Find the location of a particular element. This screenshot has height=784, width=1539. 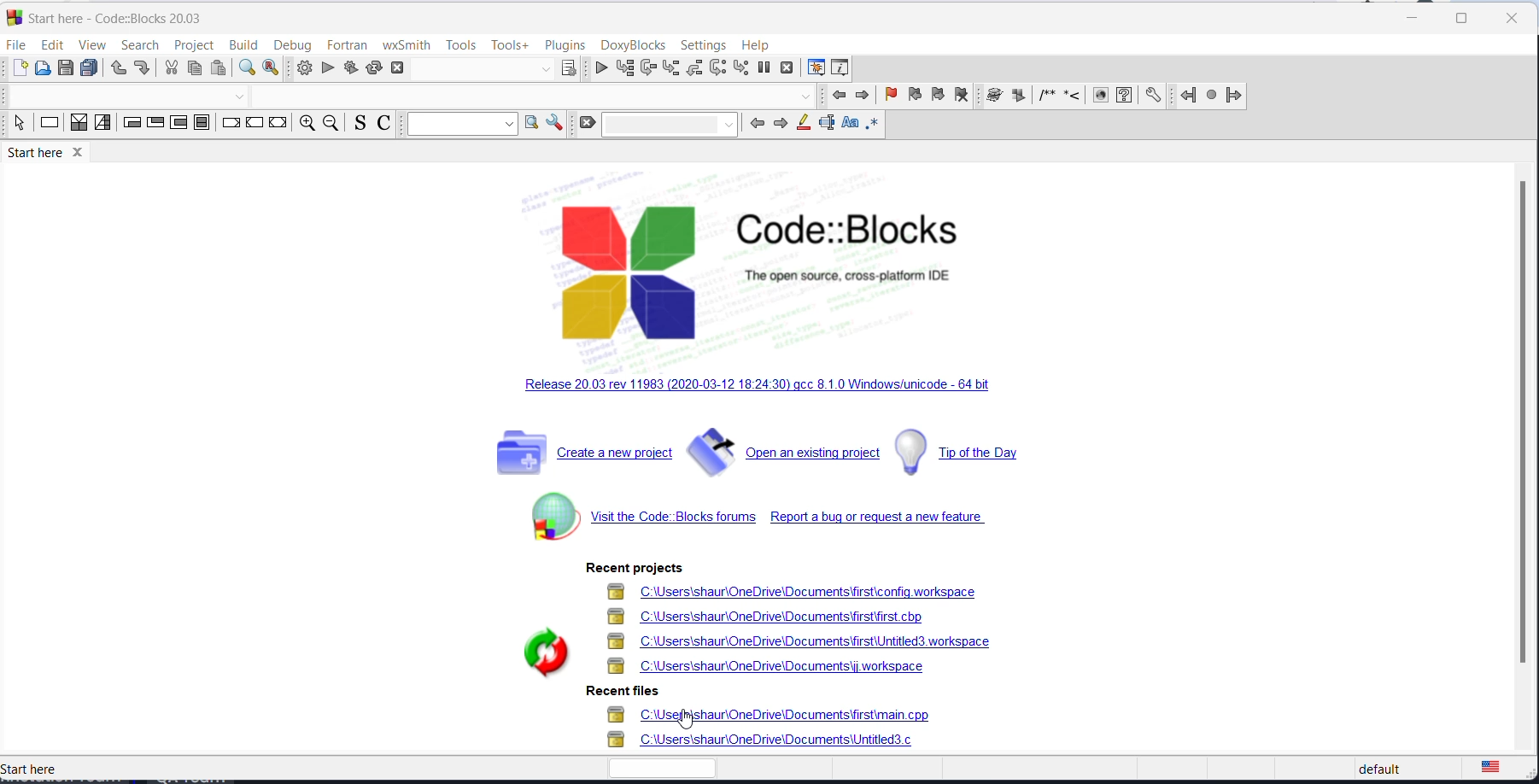

next jump is located at coordinates (1210, 96).